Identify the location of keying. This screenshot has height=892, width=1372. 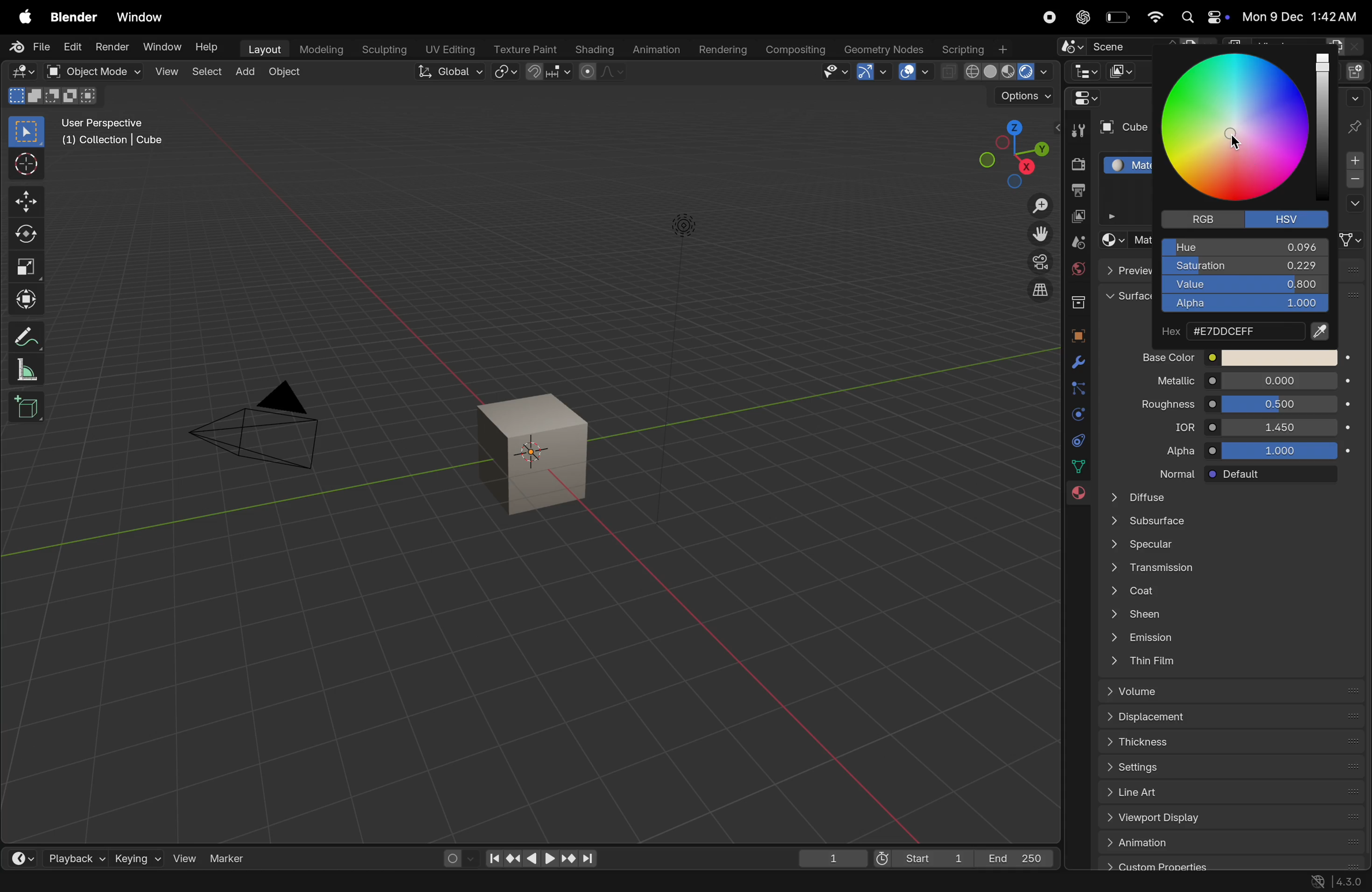
(124, 858).